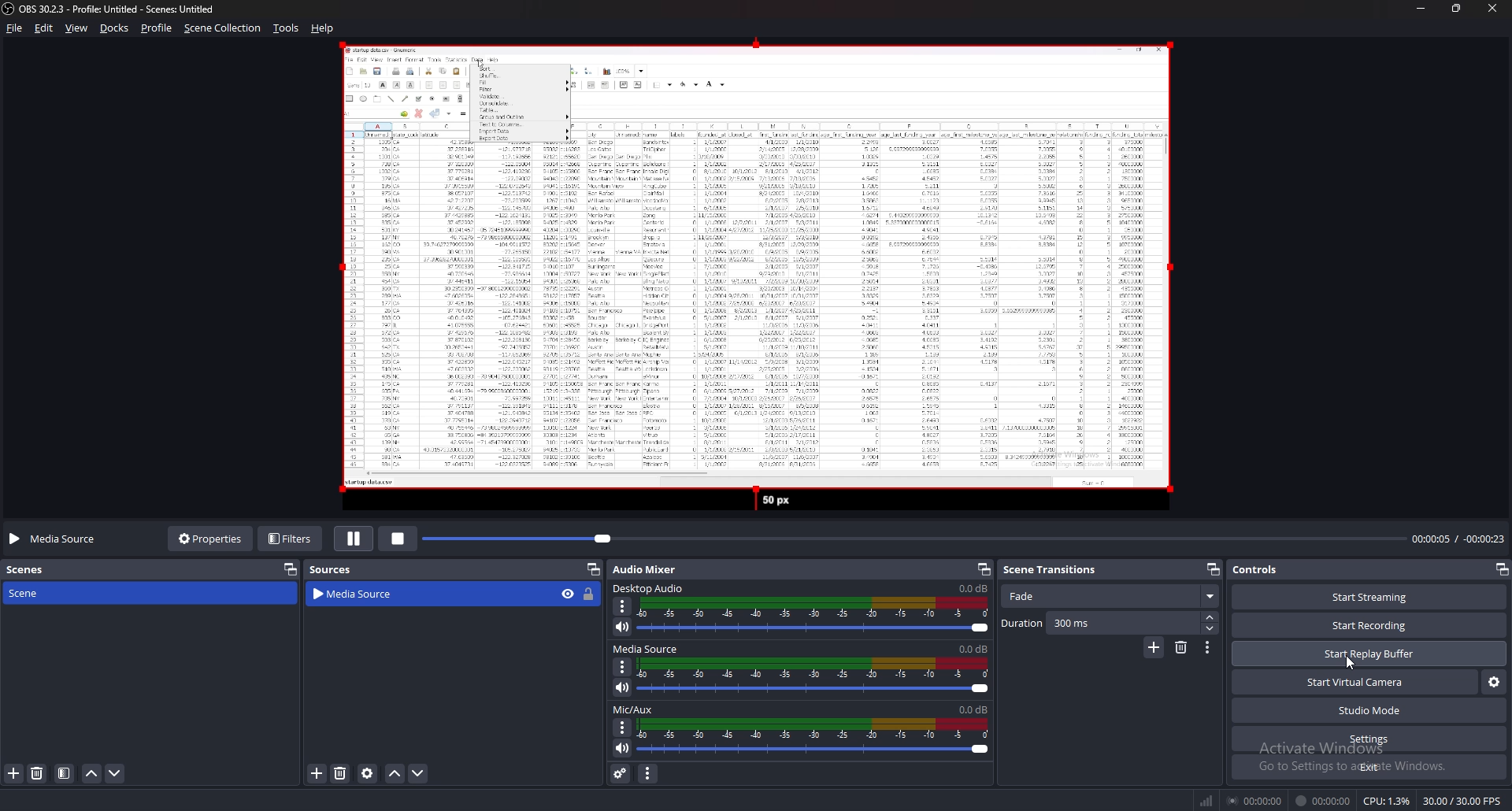 The height and width of the screenshot is (811, 1512). I want to click on 0.0db, so click(974, 710).